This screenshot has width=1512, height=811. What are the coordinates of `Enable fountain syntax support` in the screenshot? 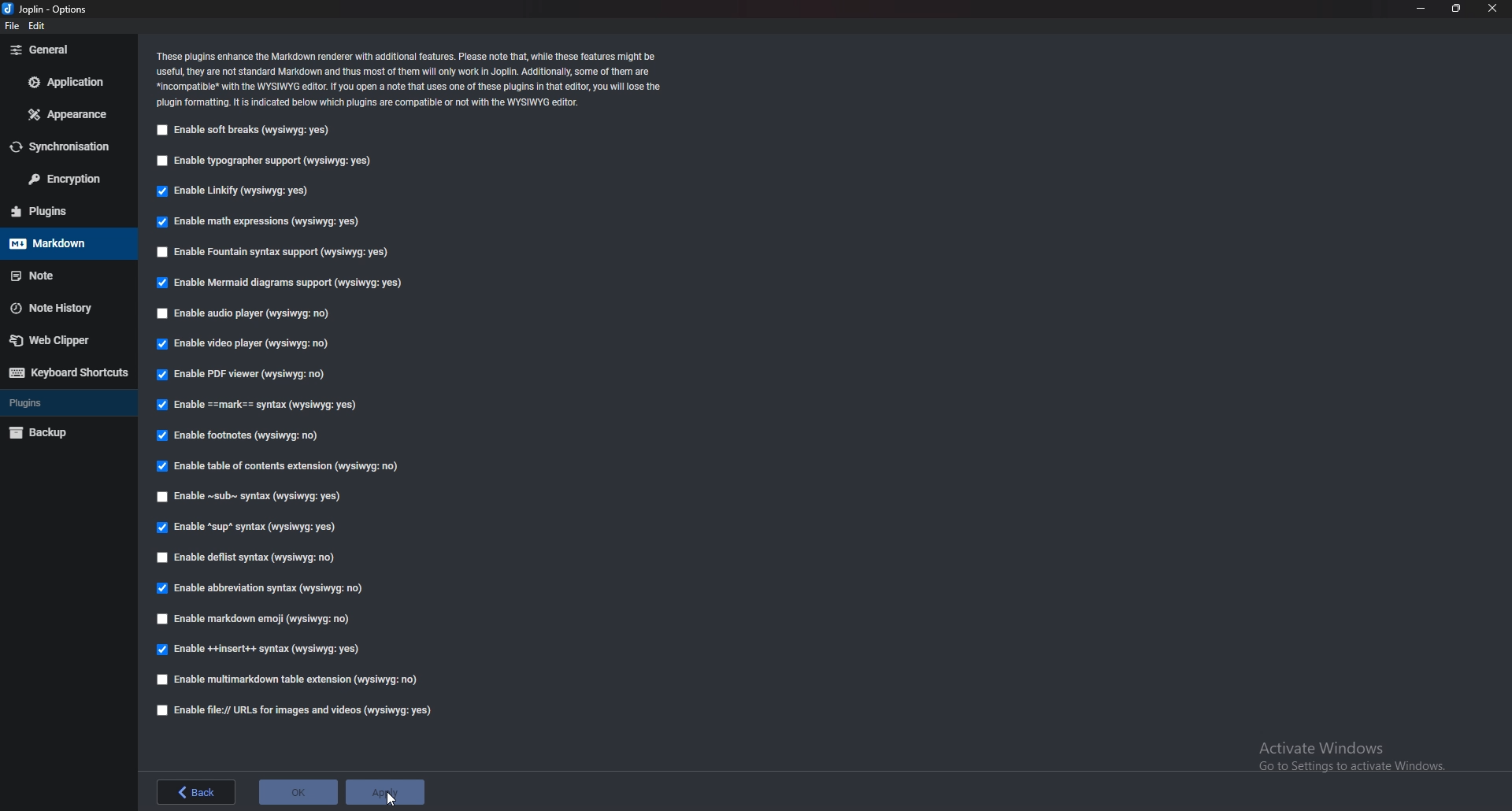 It's located at (286, 253).